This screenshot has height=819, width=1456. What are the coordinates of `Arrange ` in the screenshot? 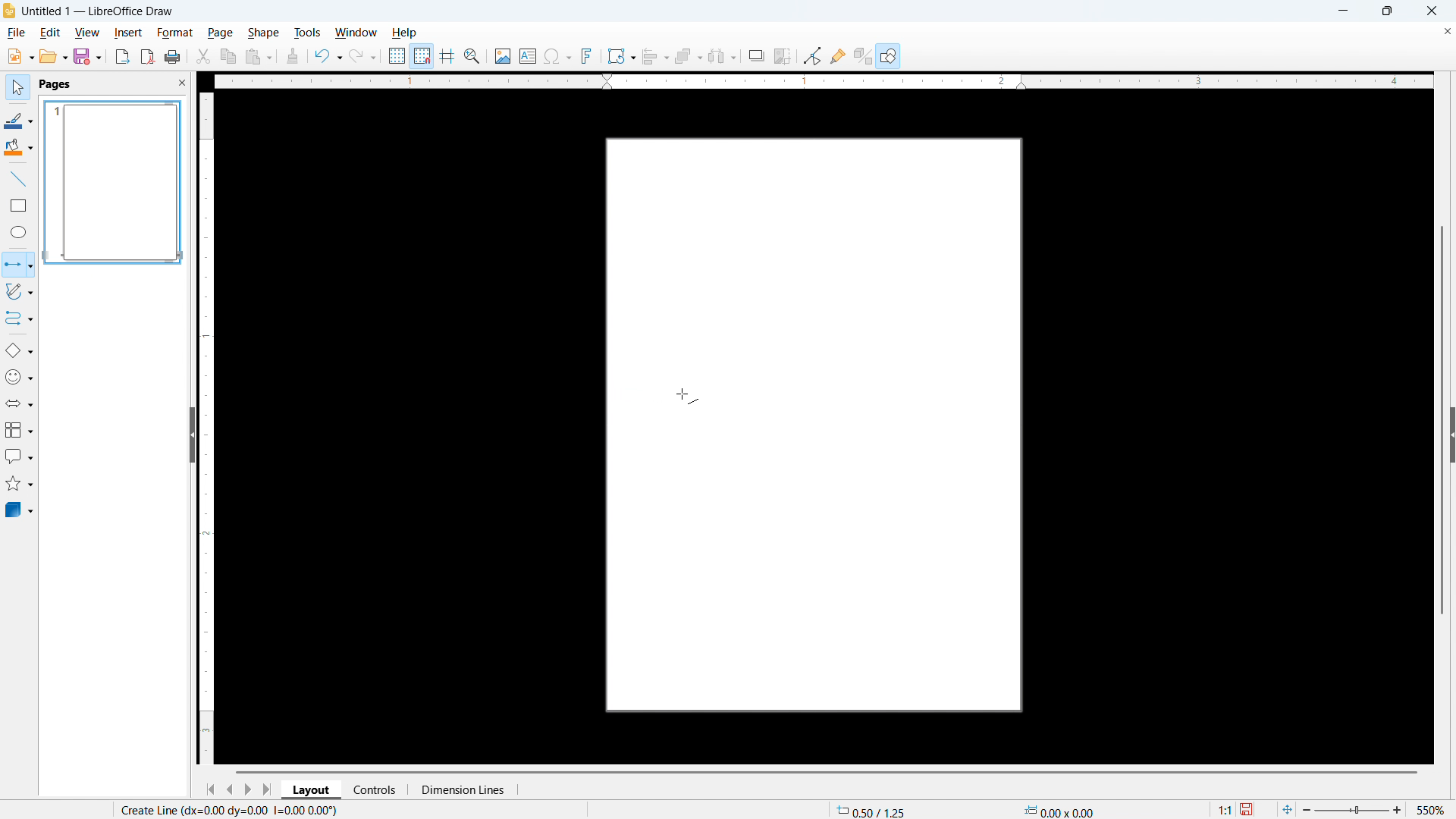 It's located at (689, 57).